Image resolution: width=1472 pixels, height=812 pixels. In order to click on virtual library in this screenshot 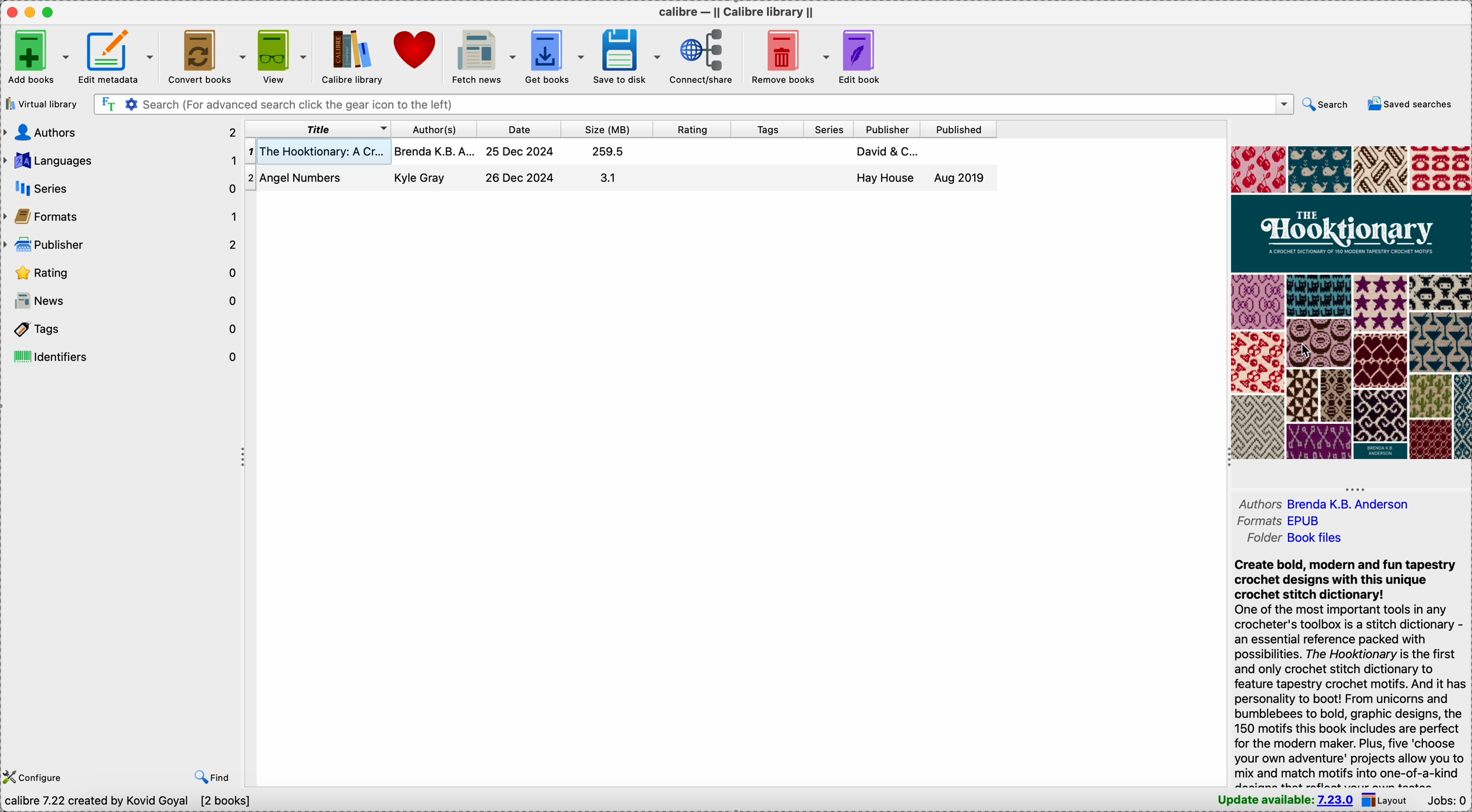, I will do `click(41, 103)`.